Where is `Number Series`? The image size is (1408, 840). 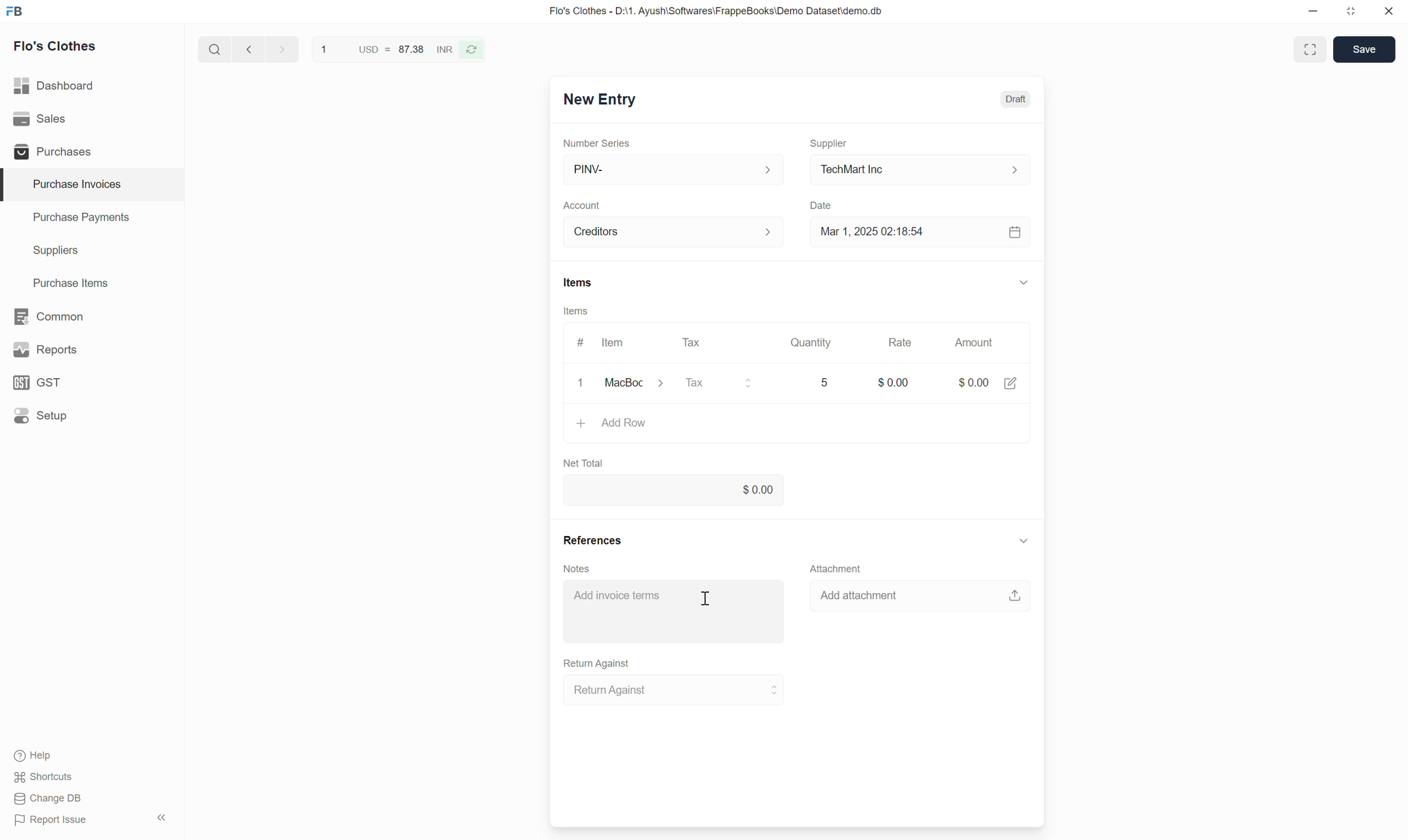 Number Series is located at coordinates (597, 143).